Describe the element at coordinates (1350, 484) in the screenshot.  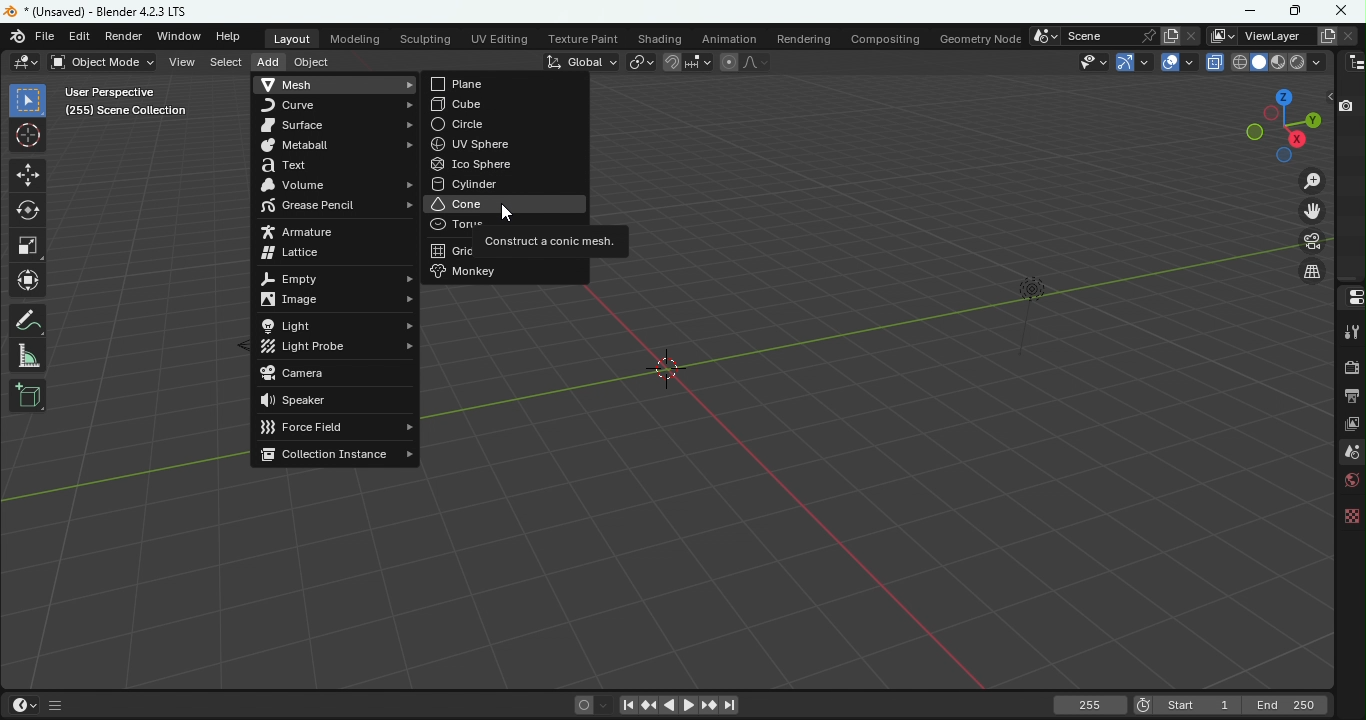
I see `World` at that location.